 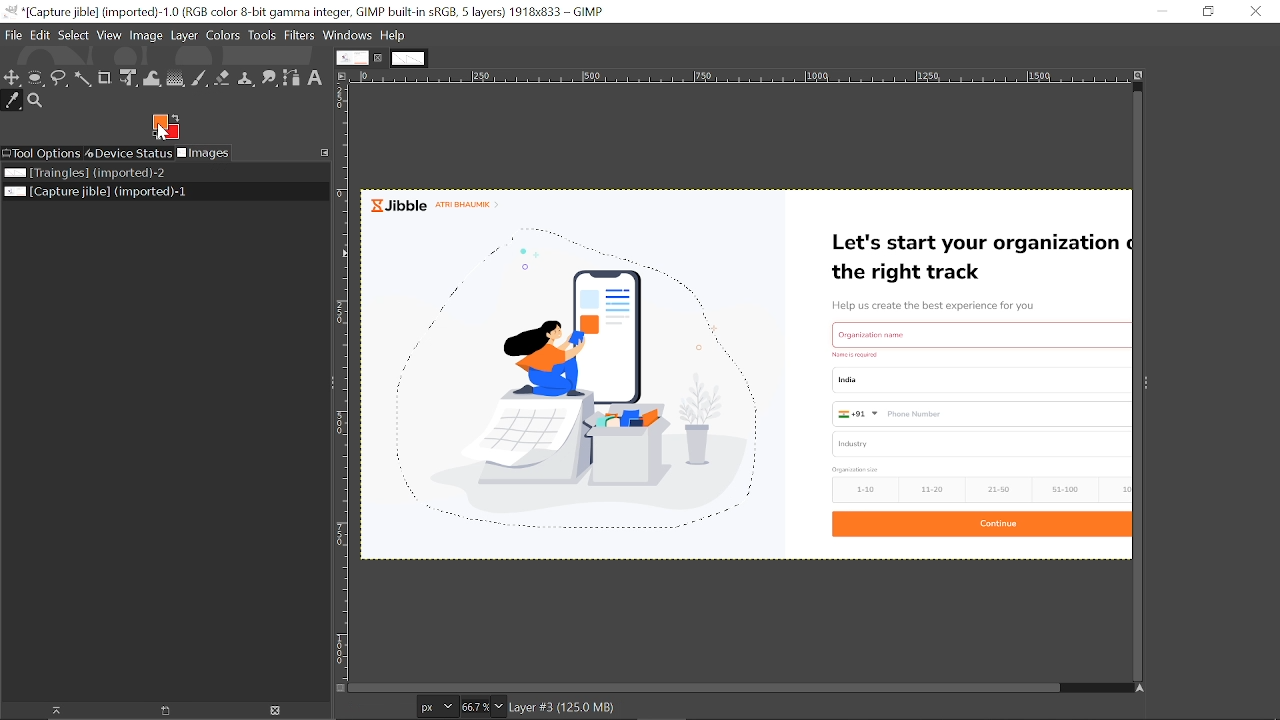 What do you see at coordinates (340, 688) in the screenshot?
I see `Toggle quick mask on/off` at bounding box center [340, 688].